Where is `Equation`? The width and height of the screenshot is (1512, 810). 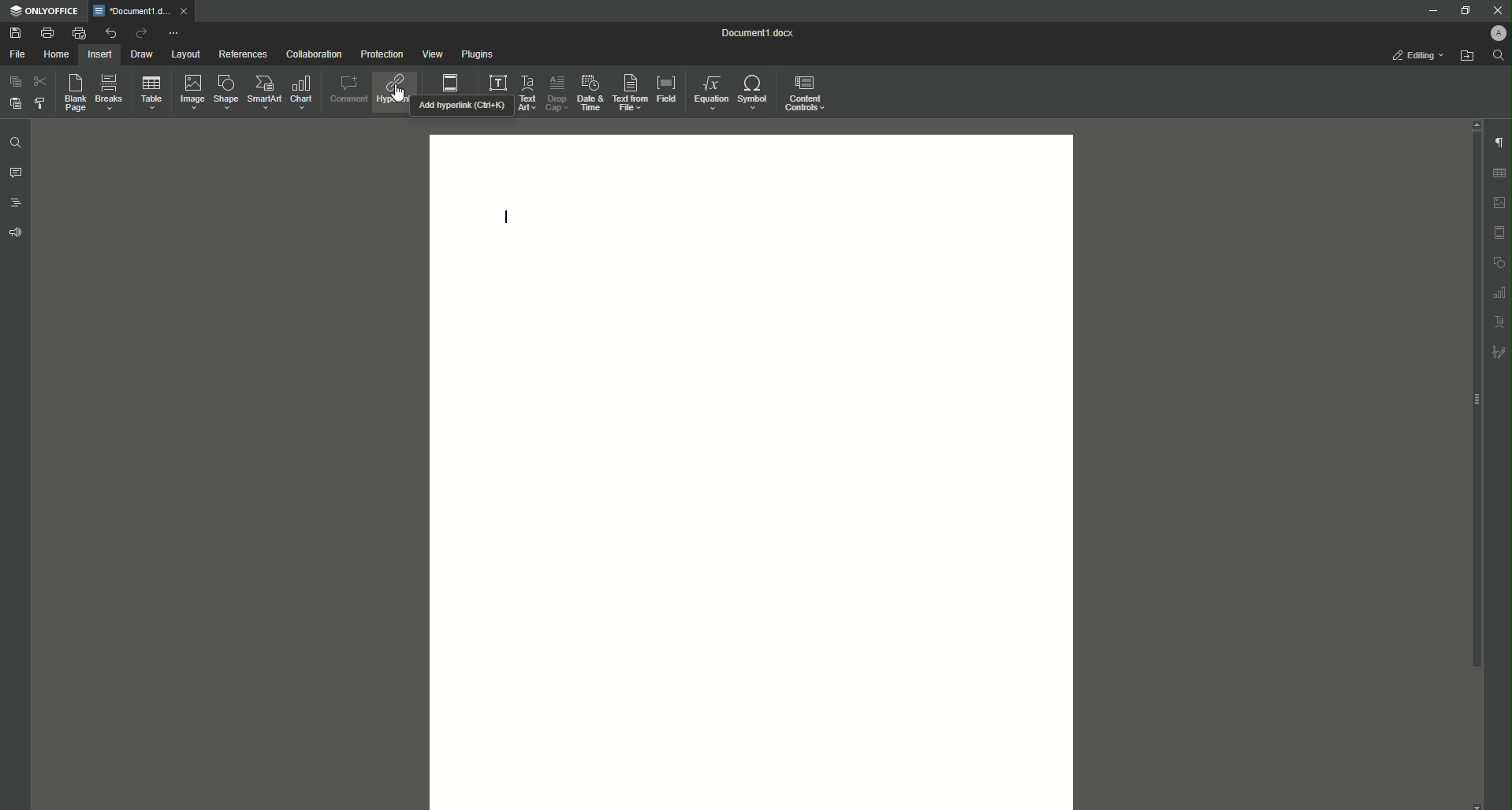
Equation is located at coordinates (711, 92).